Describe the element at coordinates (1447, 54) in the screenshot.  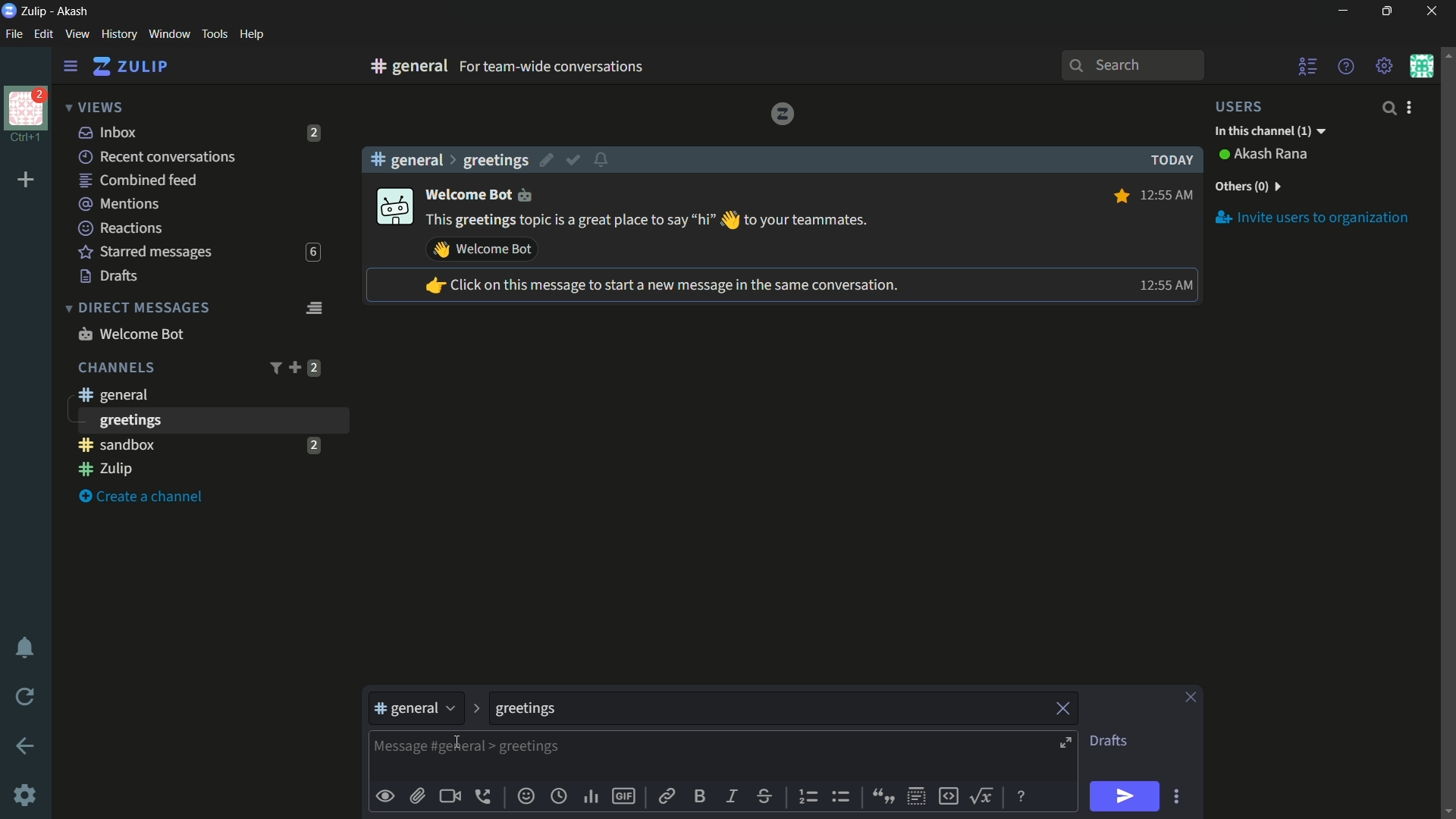
I see `scroll up` at that location.